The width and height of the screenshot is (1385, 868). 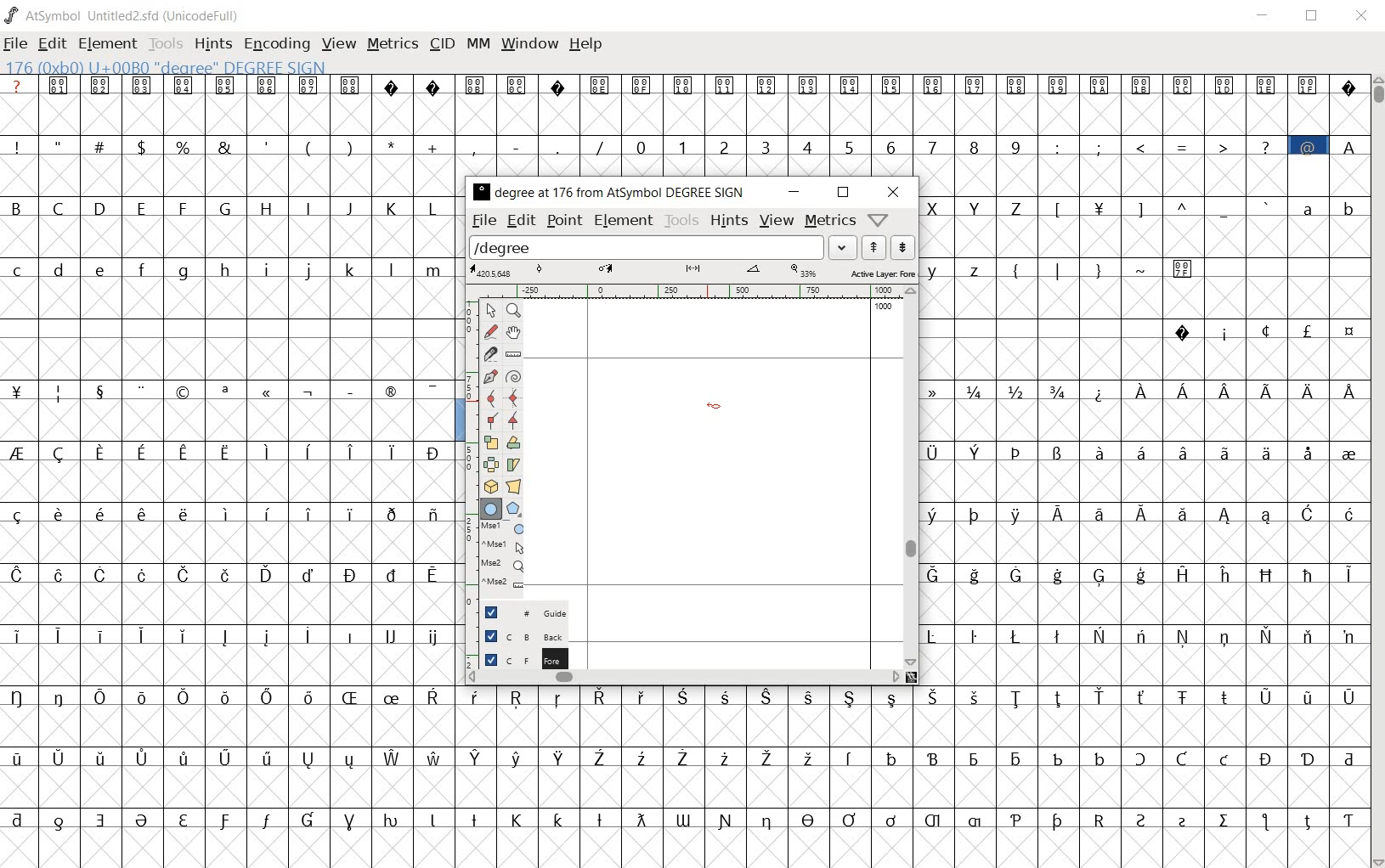 What do you see at coordinates (490, 331) in the screenshot?
I see `draw a freehand curve` at bounding box center [490, 331].